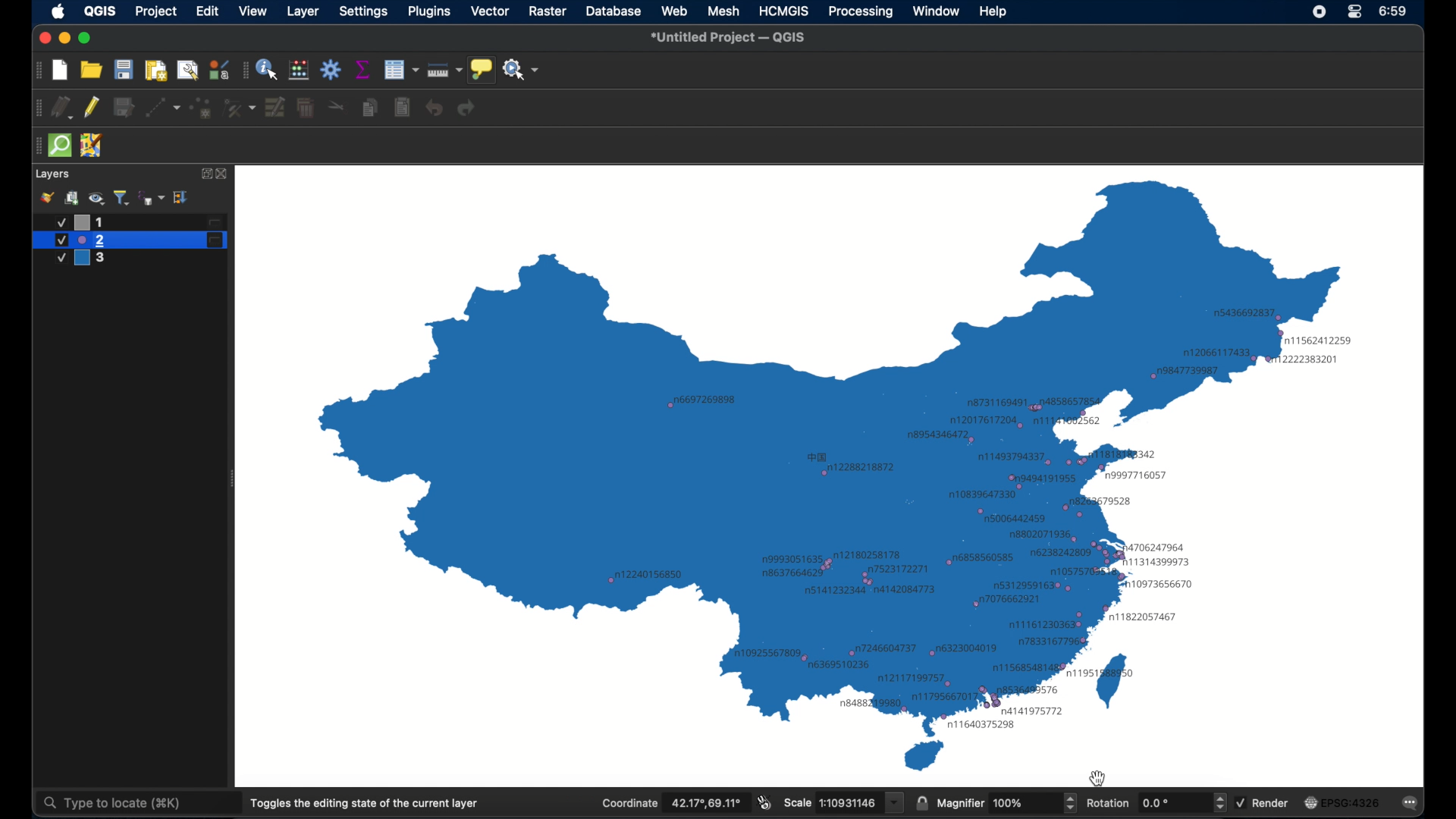  I want to click on magnifier, so click(1006, 803).